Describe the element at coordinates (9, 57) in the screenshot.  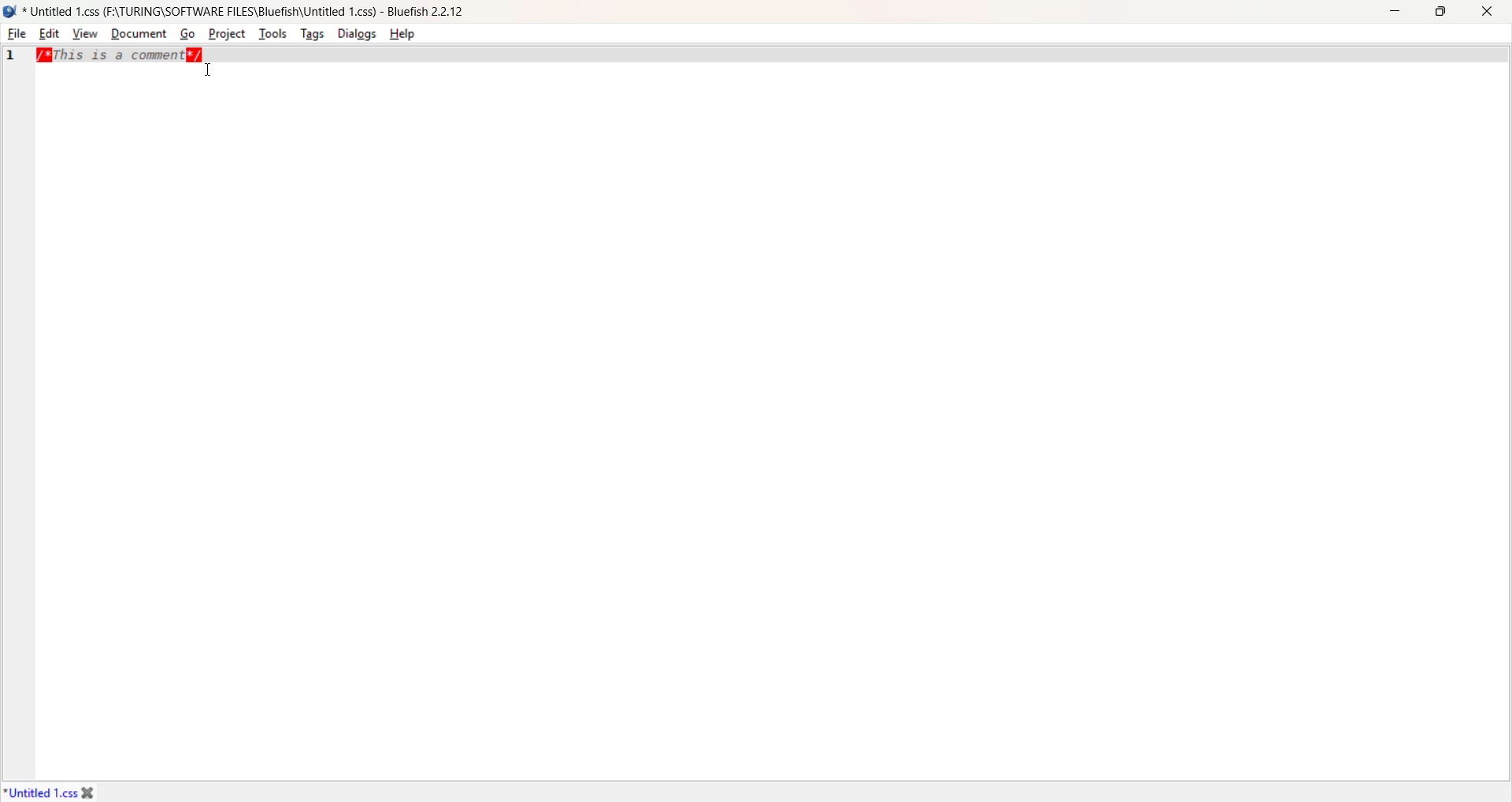
I see `1` at that location.